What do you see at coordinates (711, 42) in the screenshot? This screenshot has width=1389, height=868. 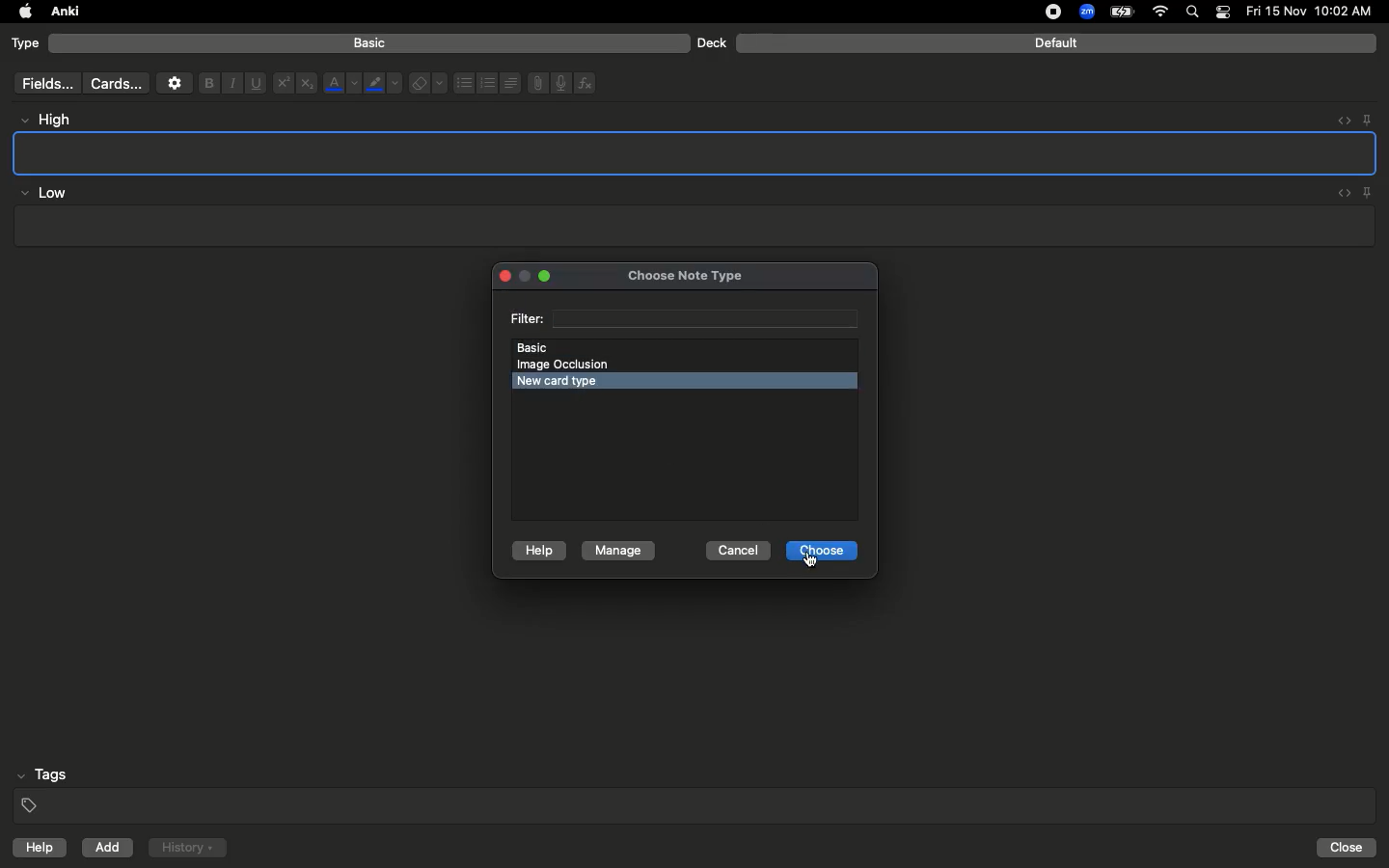 I see `Deck` at bounding box center [711, 42].